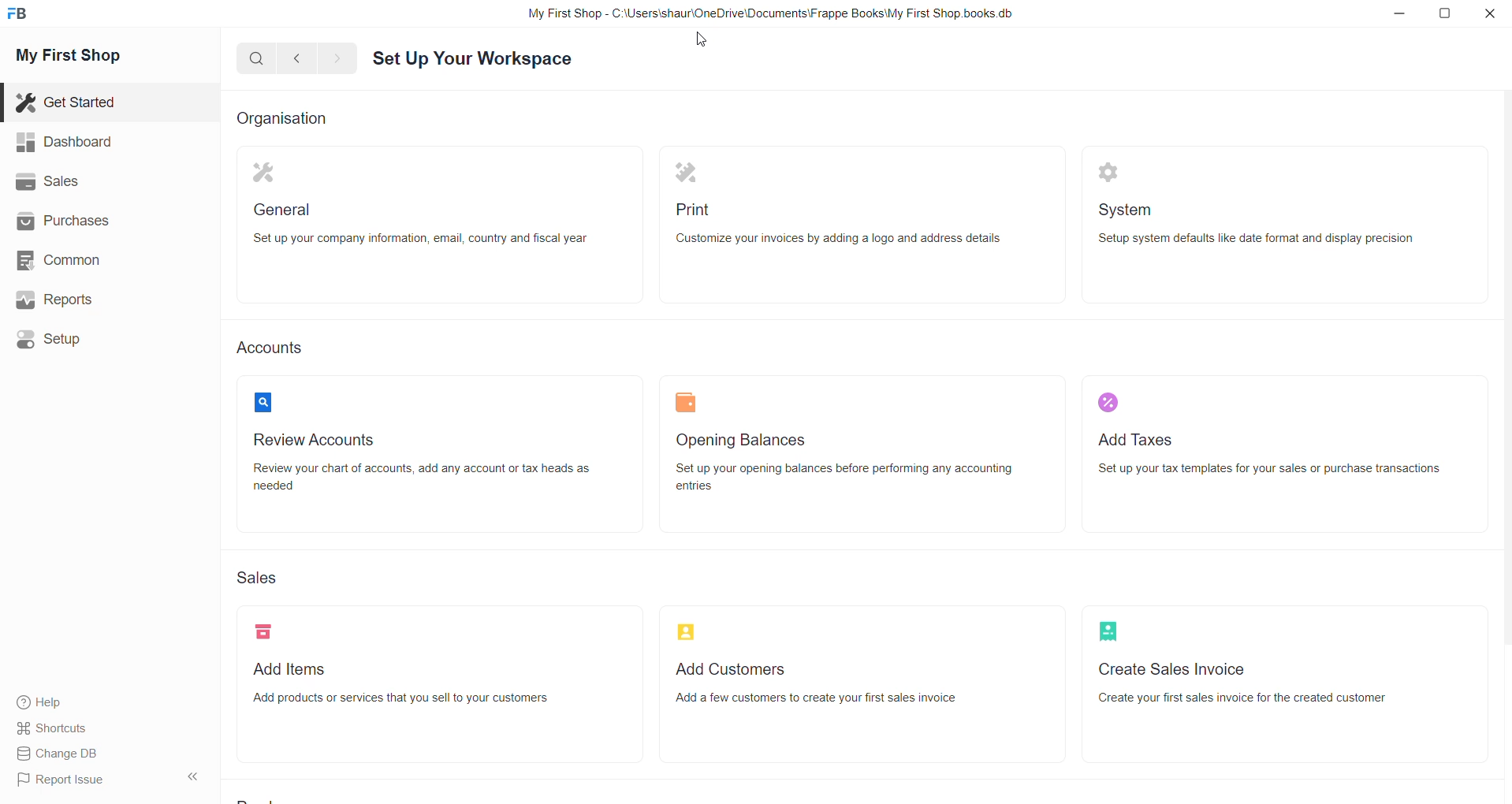  I want to click on My First Shop - C:\Users\shaur\OneDrive\Documents\Frappe Books\My First Shop. books.db, so click(773, 14).